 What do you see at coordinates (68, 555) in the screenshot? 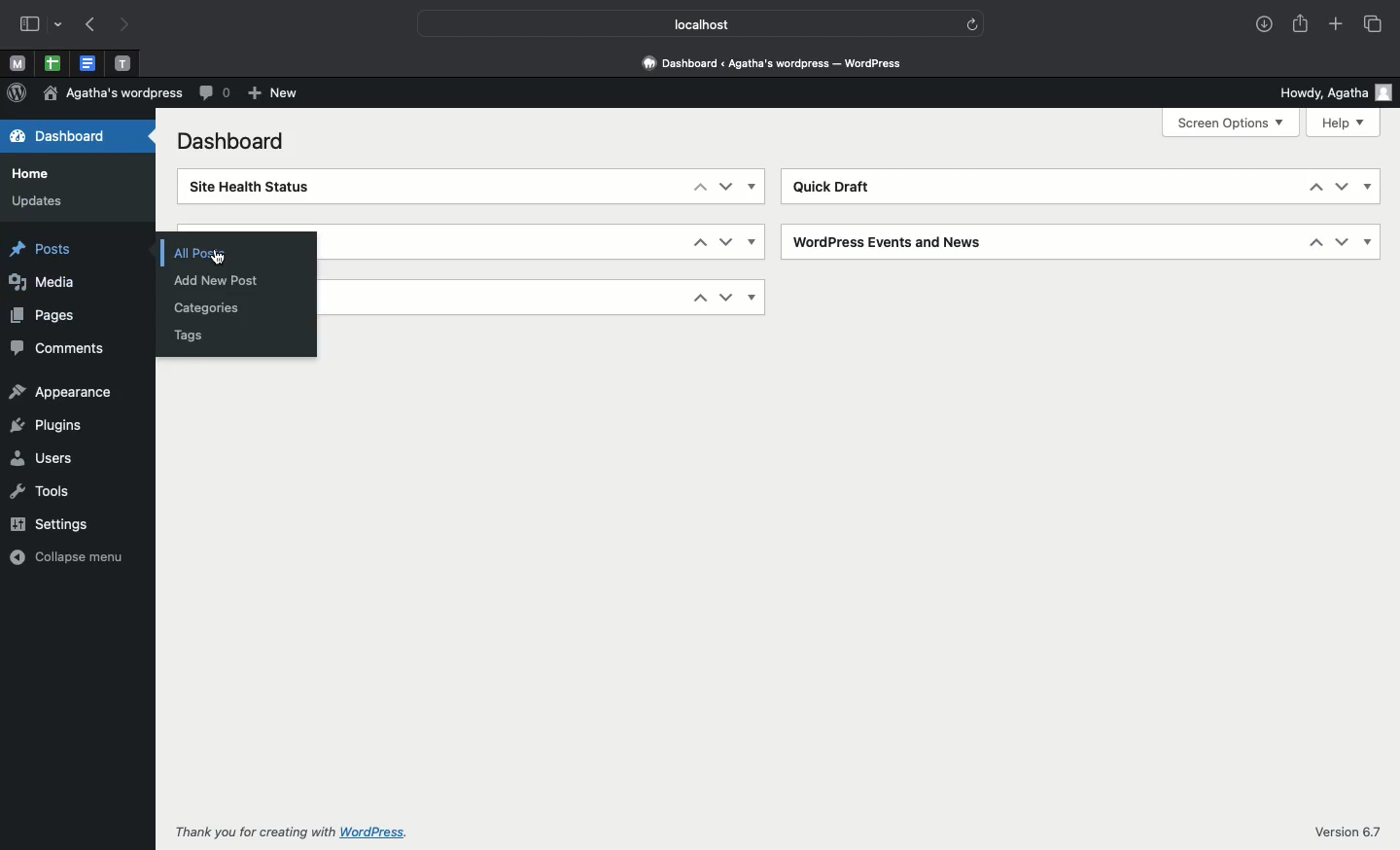
I see `Collapse menu` at bounding box center [68, 555].